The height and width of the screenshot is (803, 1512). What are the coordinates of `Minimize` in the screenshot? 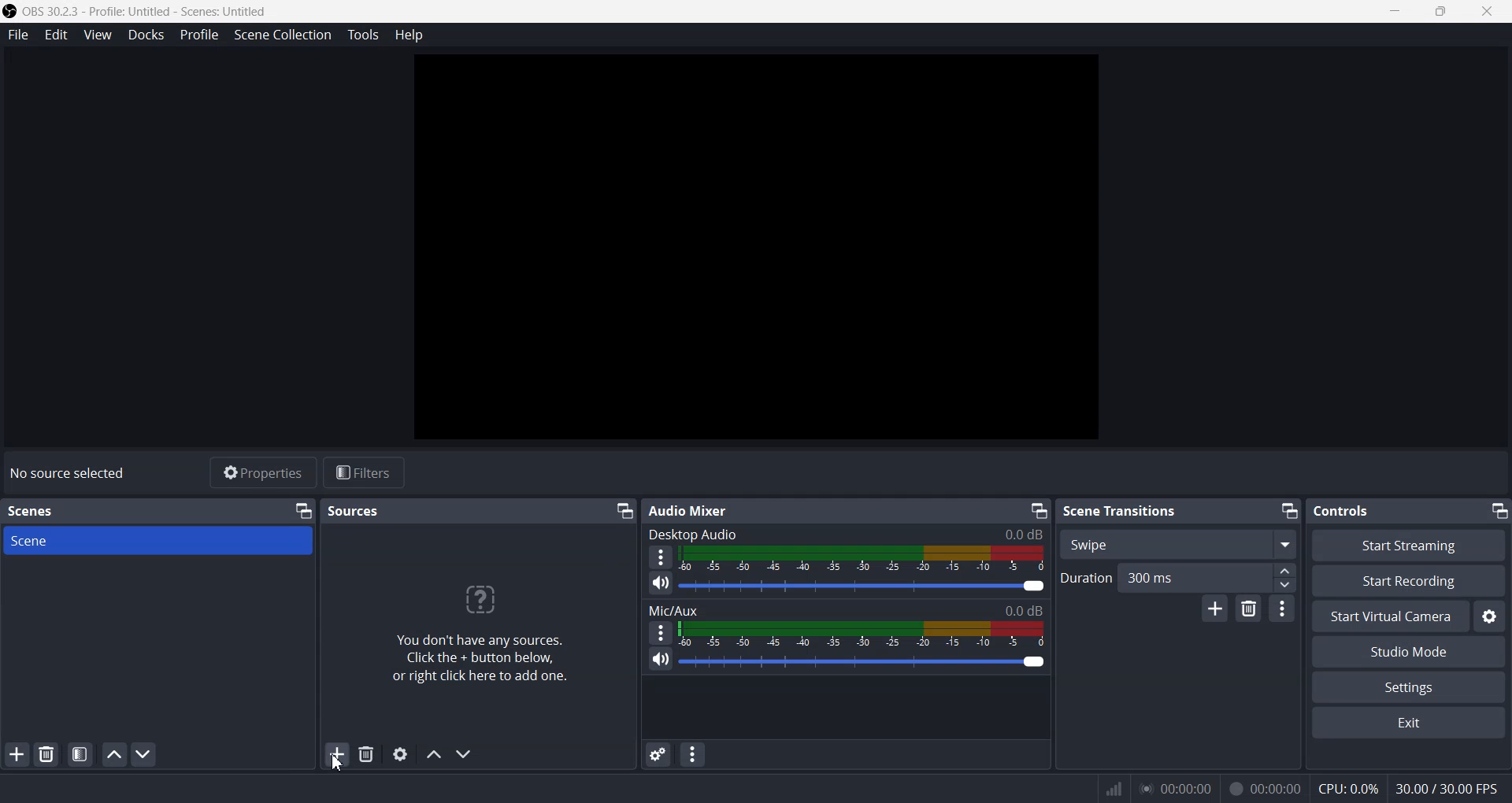 It's located at (1288, 511).